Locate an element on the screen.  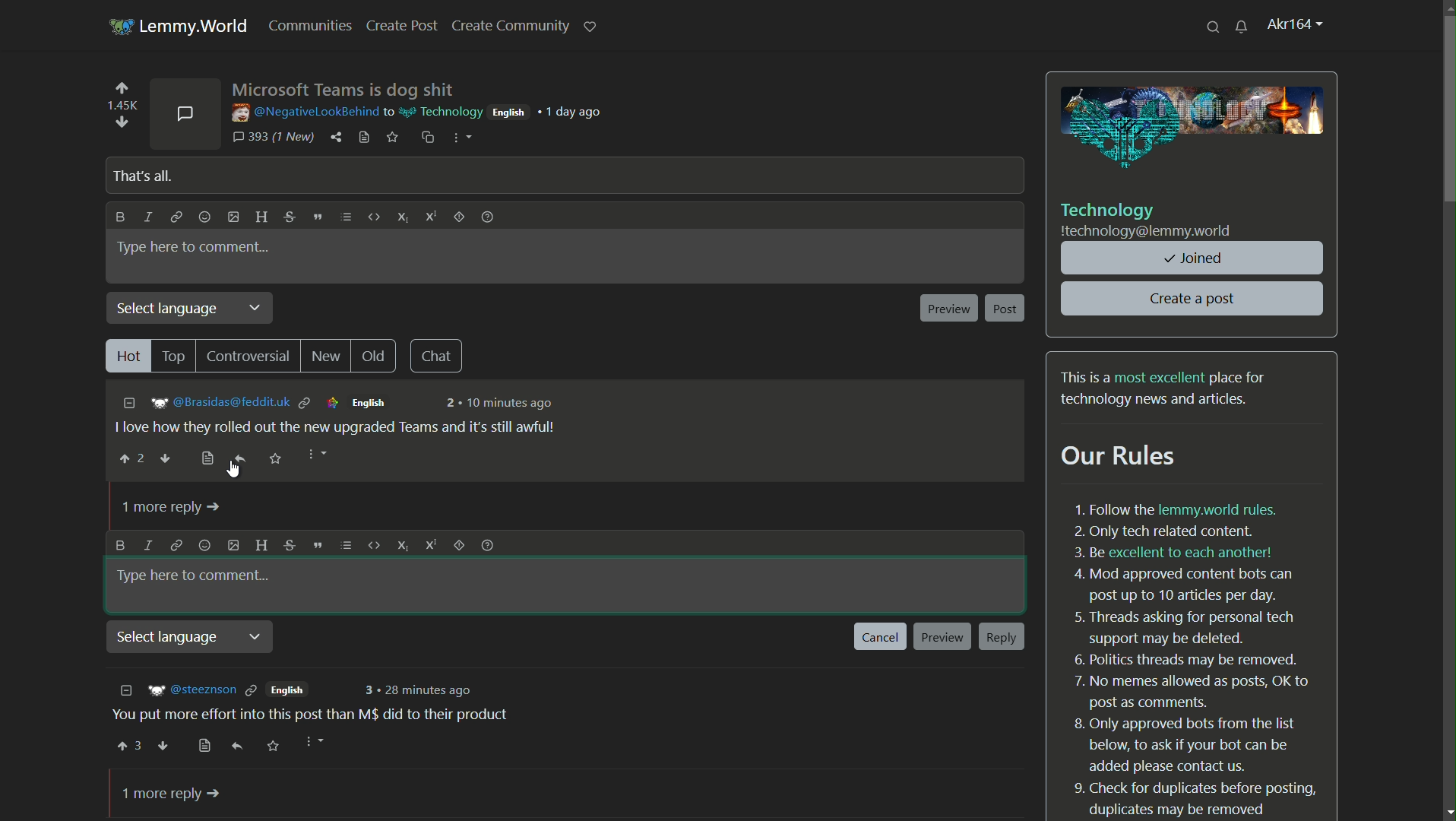
add image is located at coordinates (233, 217).